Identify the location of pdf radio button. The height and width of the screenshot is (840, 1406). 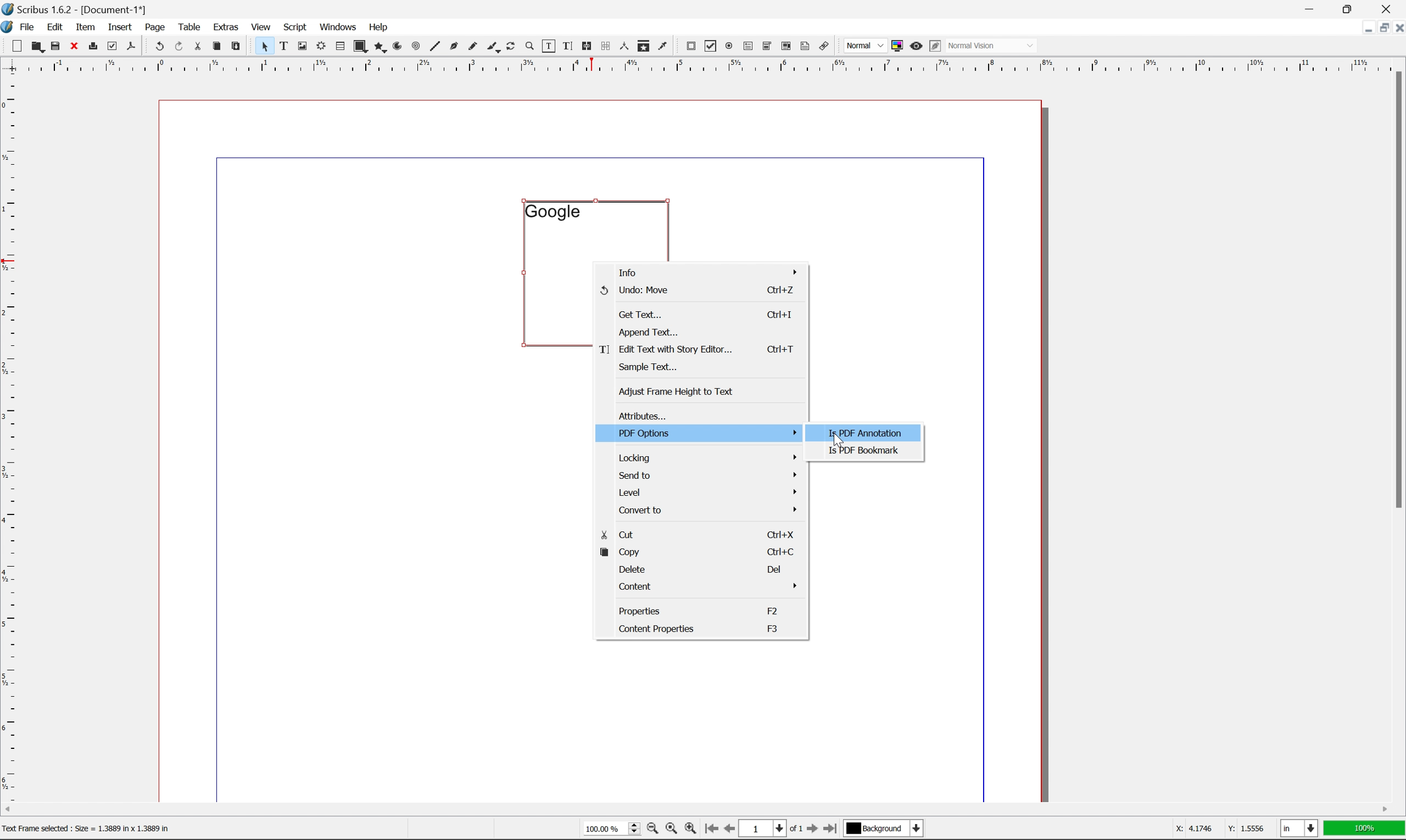
(726, 46).